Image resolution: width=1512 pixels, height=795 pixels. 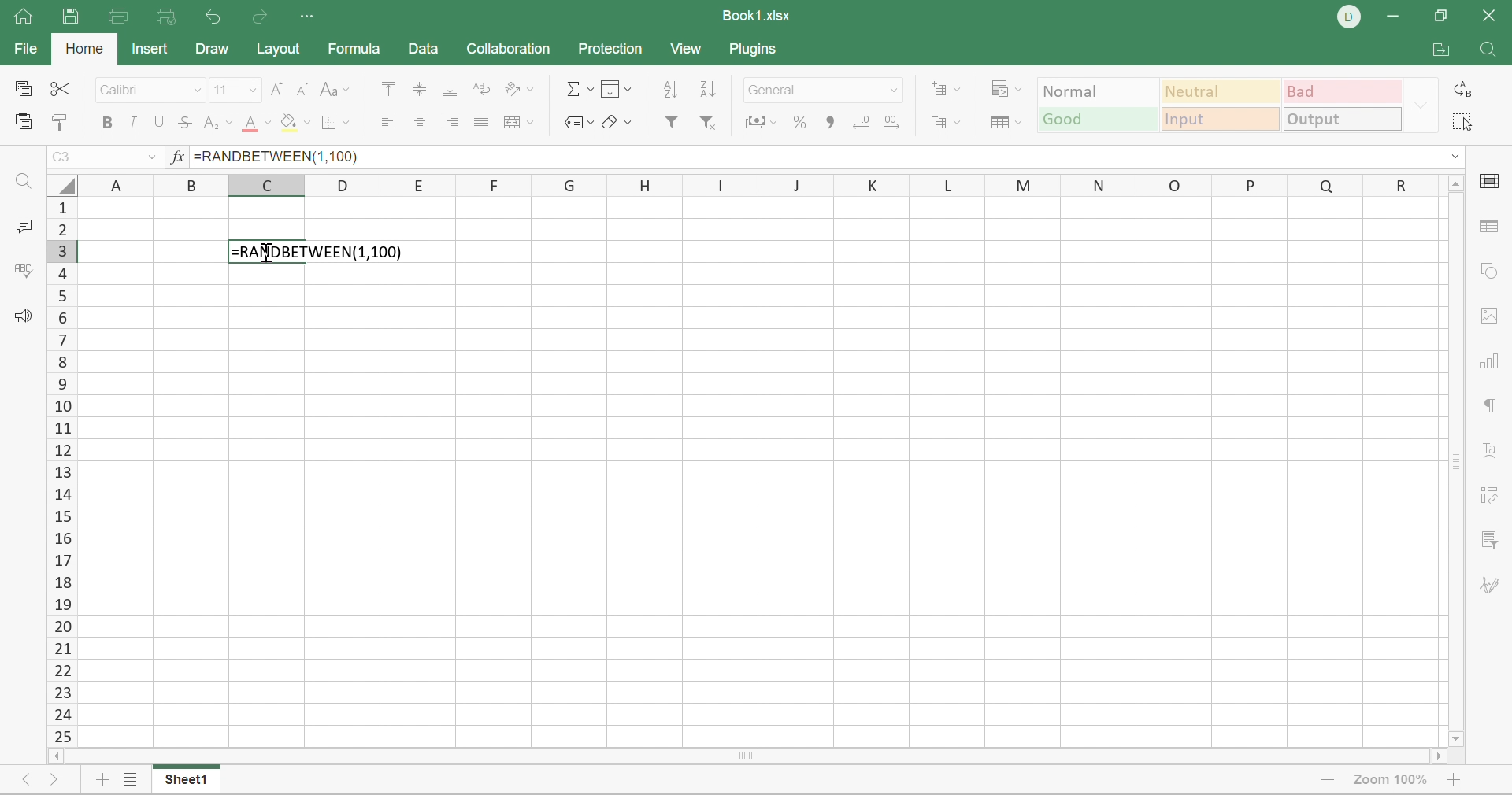 I want to click on Output, so click(x=1343, y=118).